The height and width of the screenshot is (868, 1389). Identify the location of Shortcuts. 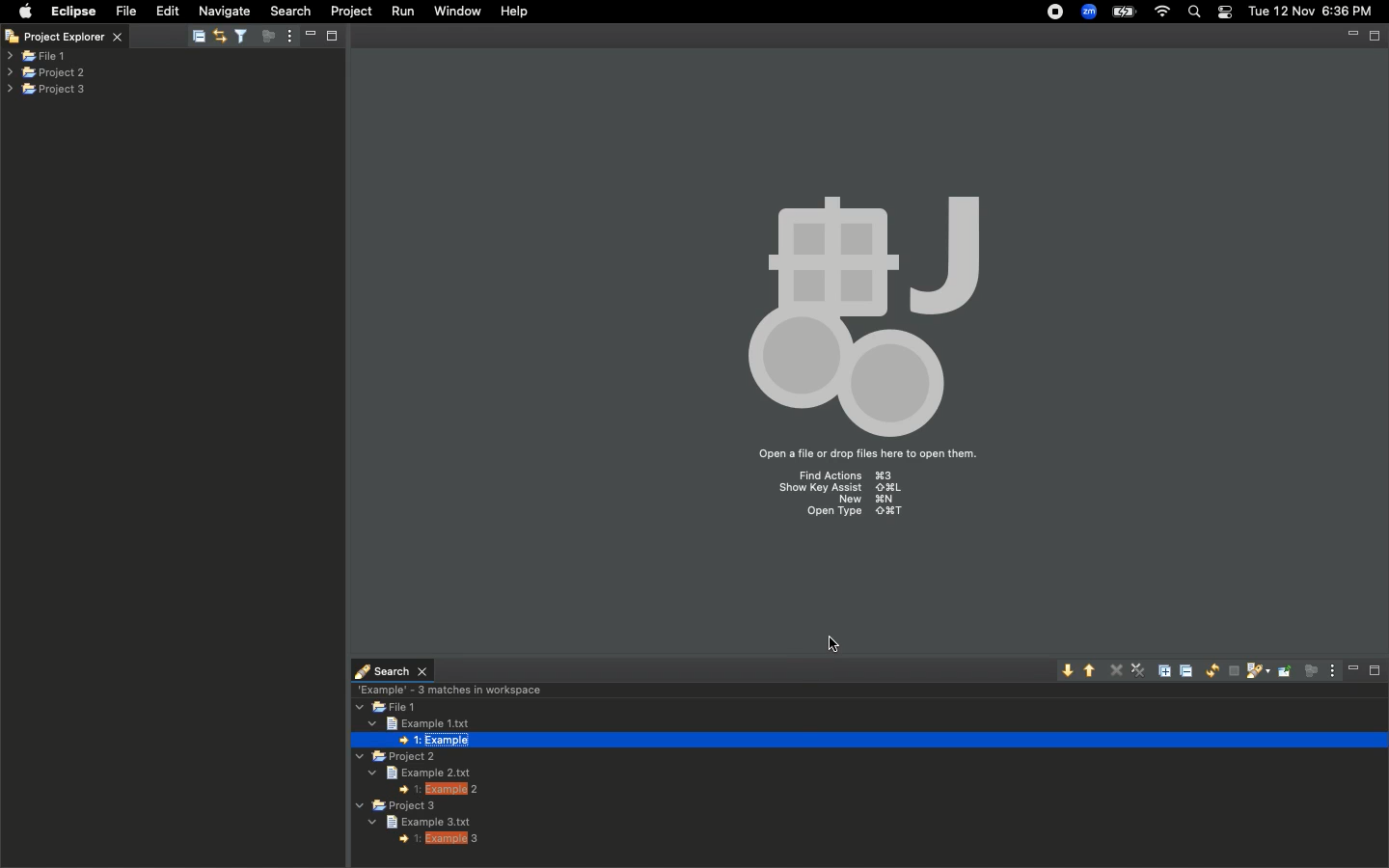
(845, 498).